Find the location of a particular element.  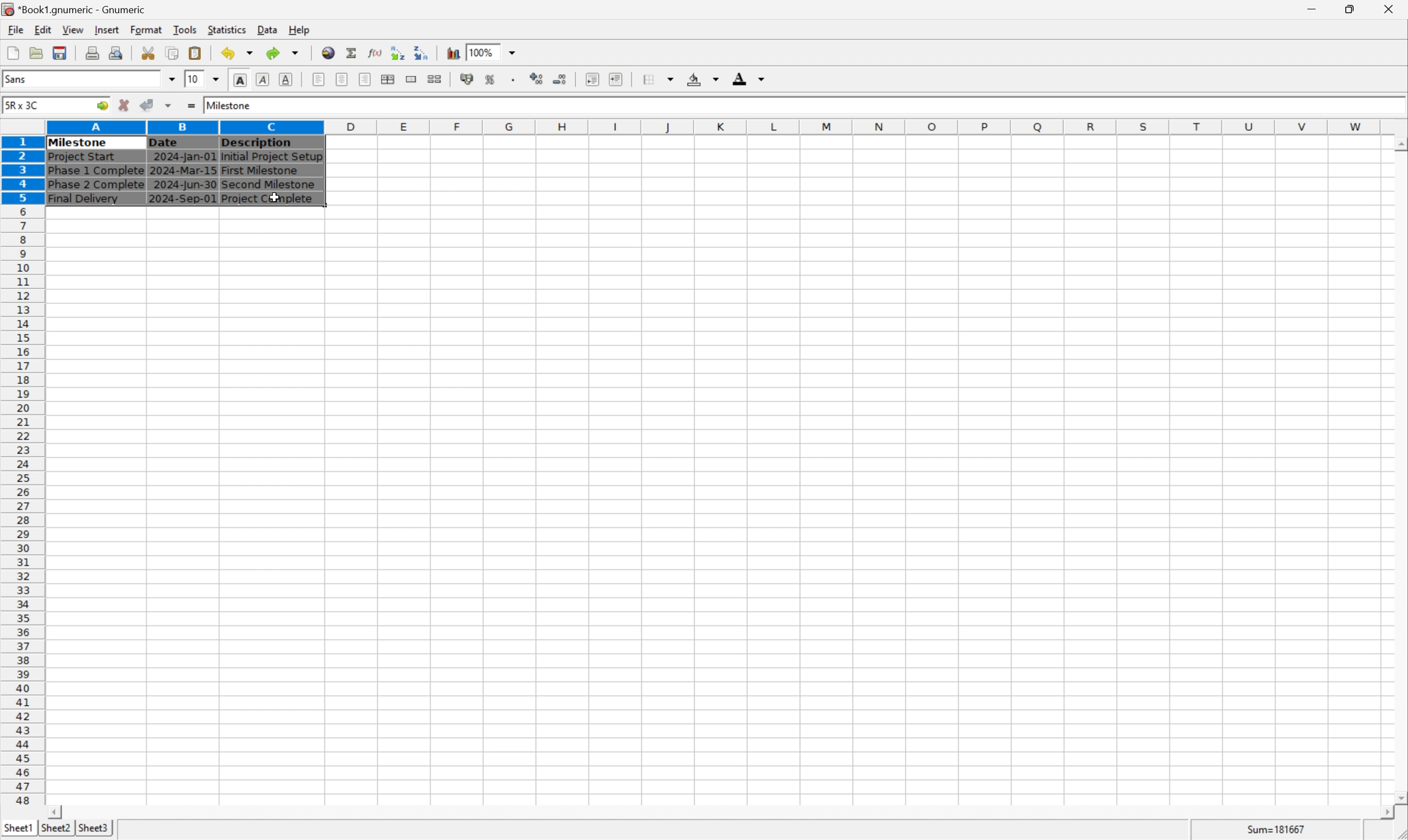

minimize is located at coordinates (1320, 7).